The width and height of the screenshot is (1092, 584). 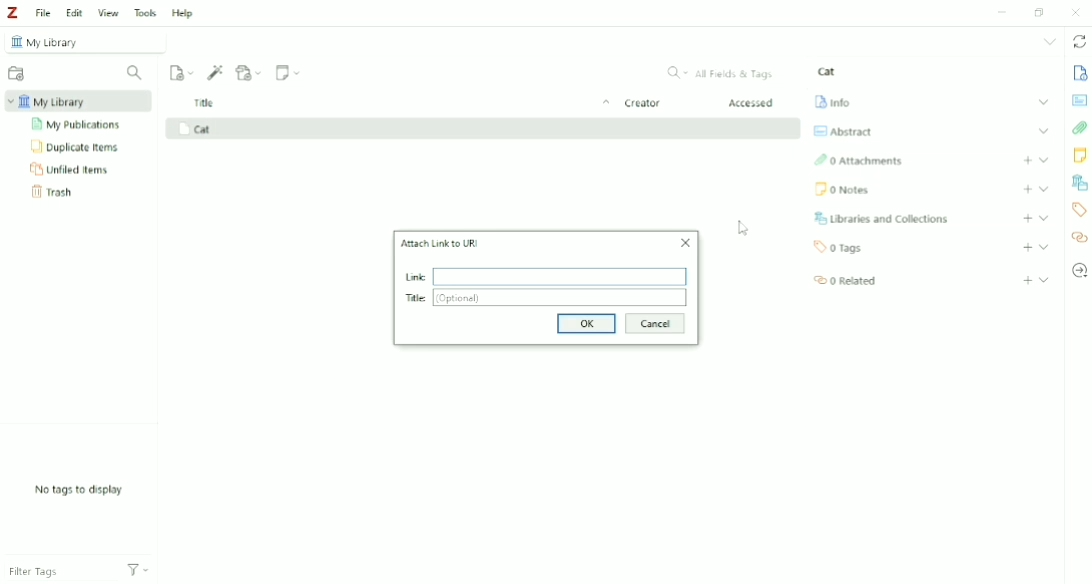 I want to click on Edit, so click(x=74, y=13).